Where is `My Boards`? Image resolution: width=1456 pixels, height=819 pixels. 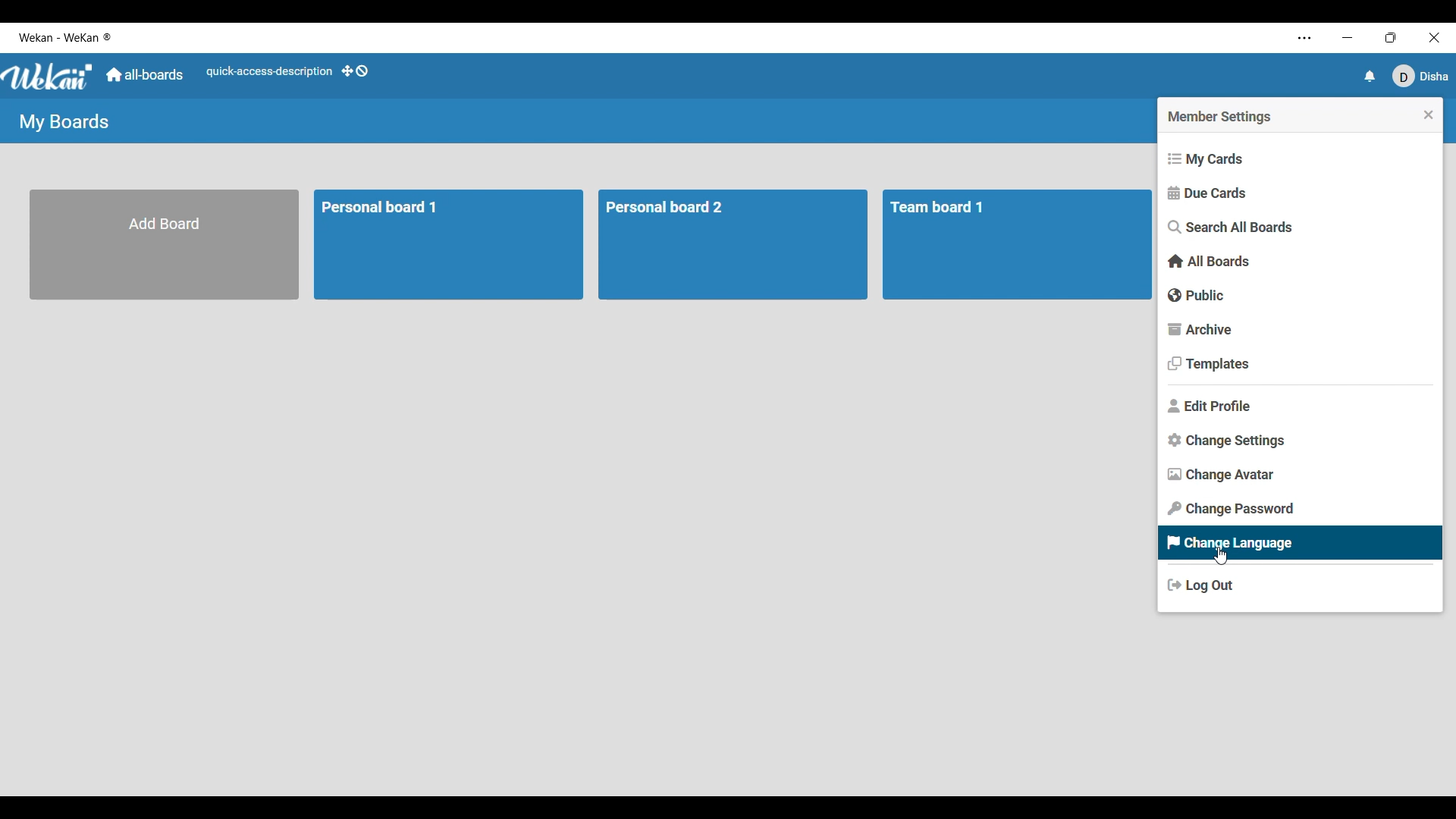 My Boards is located at coordinates (64, 122).